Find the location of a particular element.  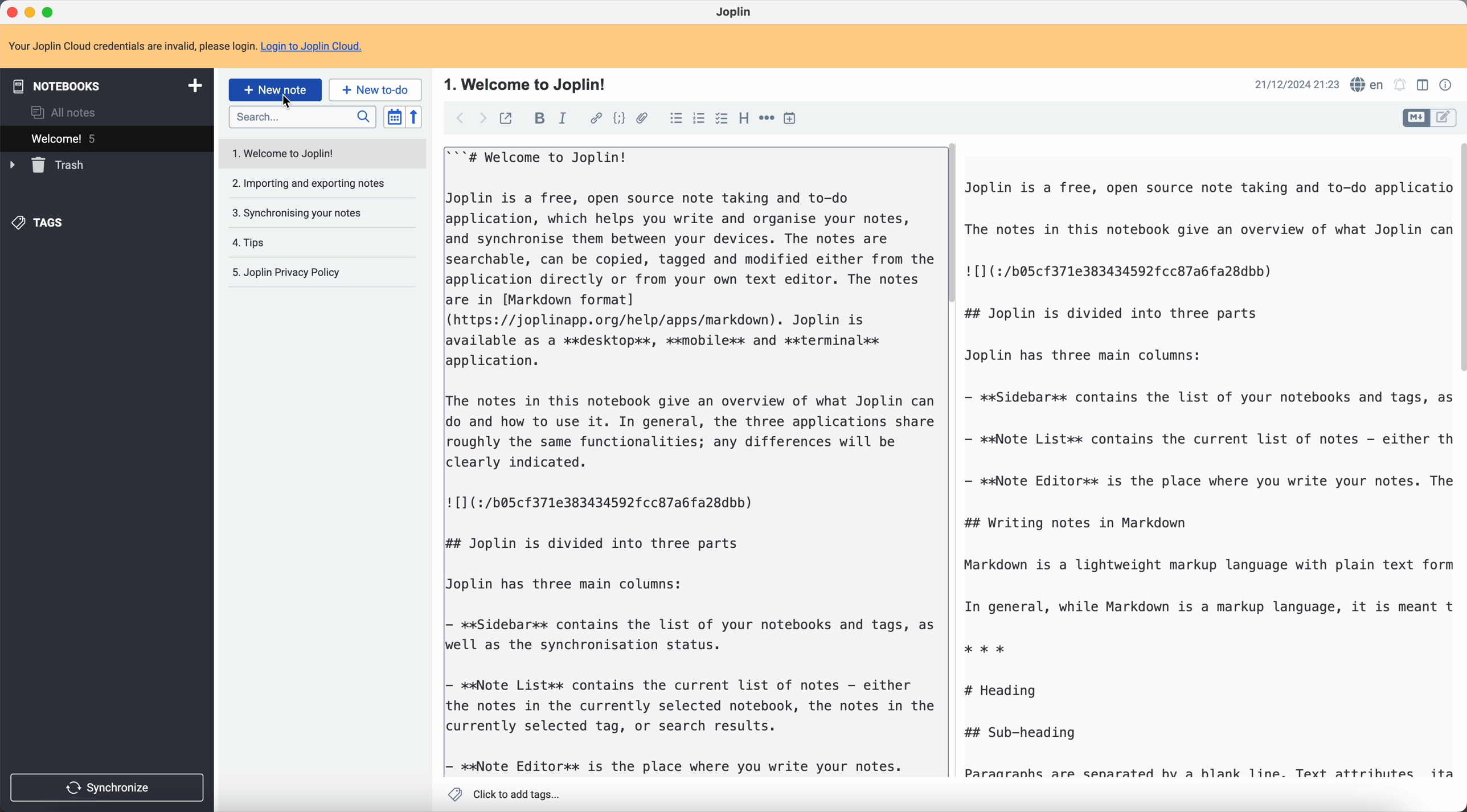

minimize is located at coordinates (30, 11).